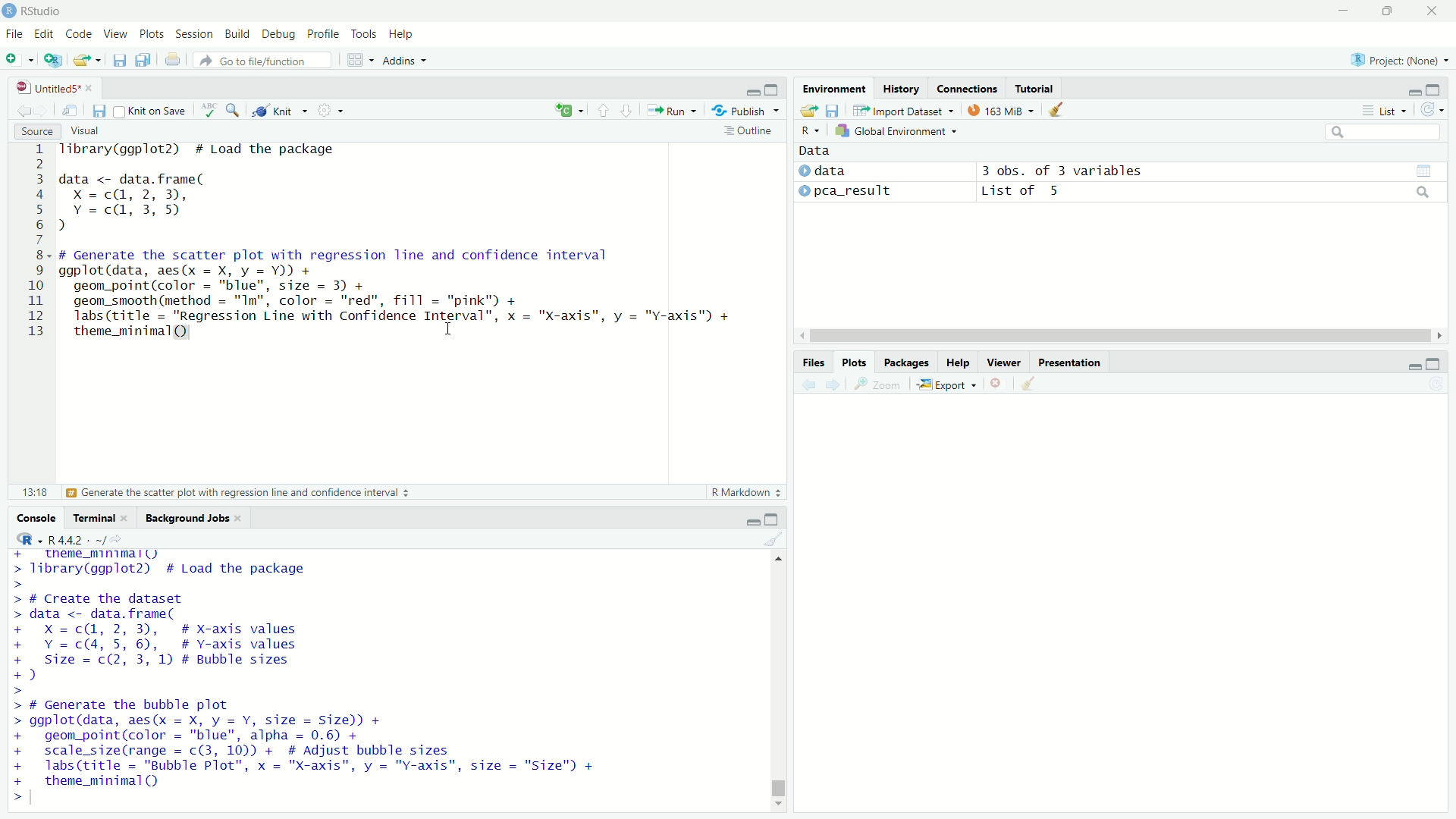 The width and height of the screenshot is (1456, 819). Describe the element at coordinates (330, 110) in the screenshot. I see `More options` at that location.